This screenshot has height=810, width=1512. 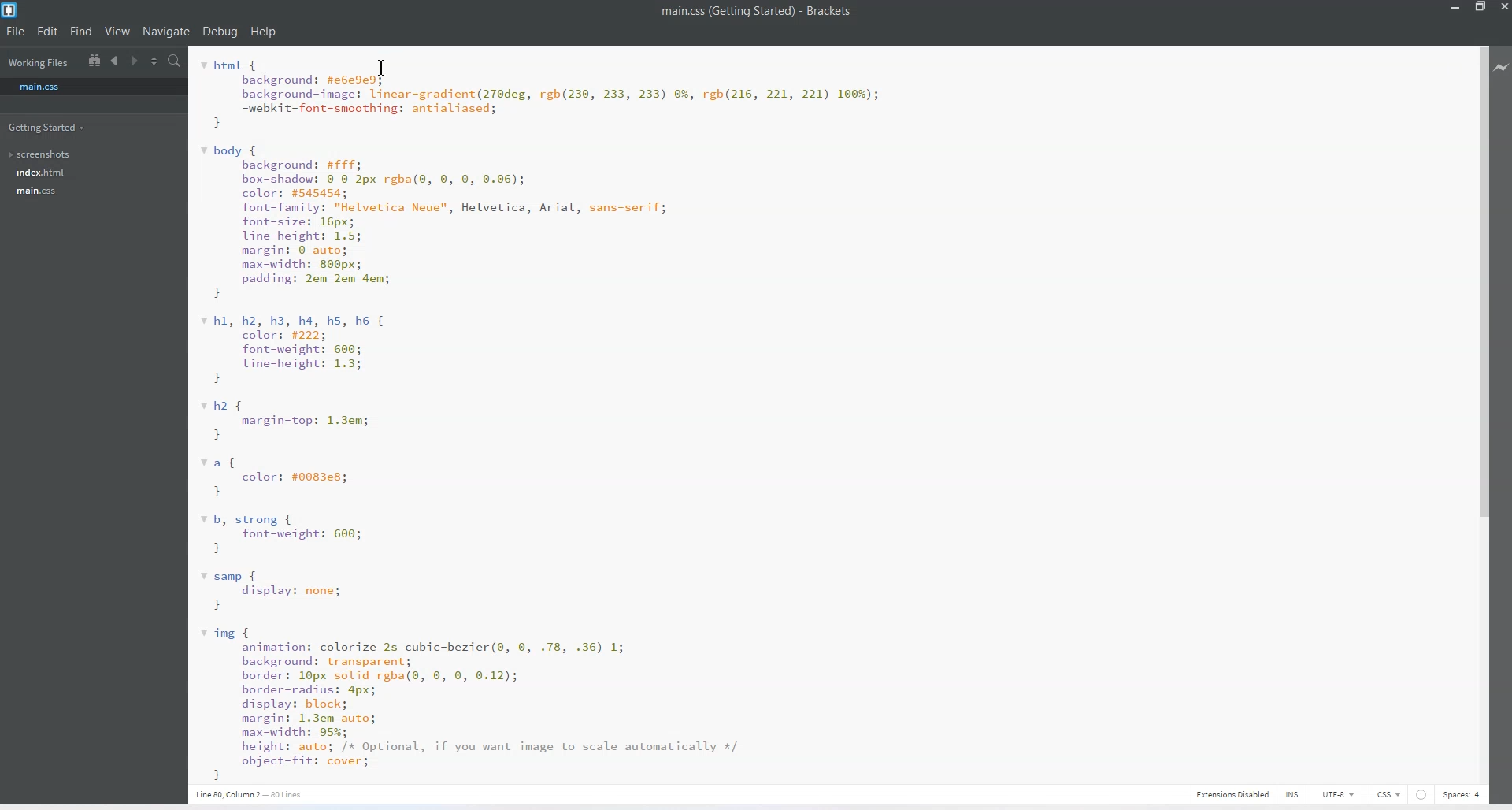 I want to click on Text Cursor, so click(x=384, y=67).